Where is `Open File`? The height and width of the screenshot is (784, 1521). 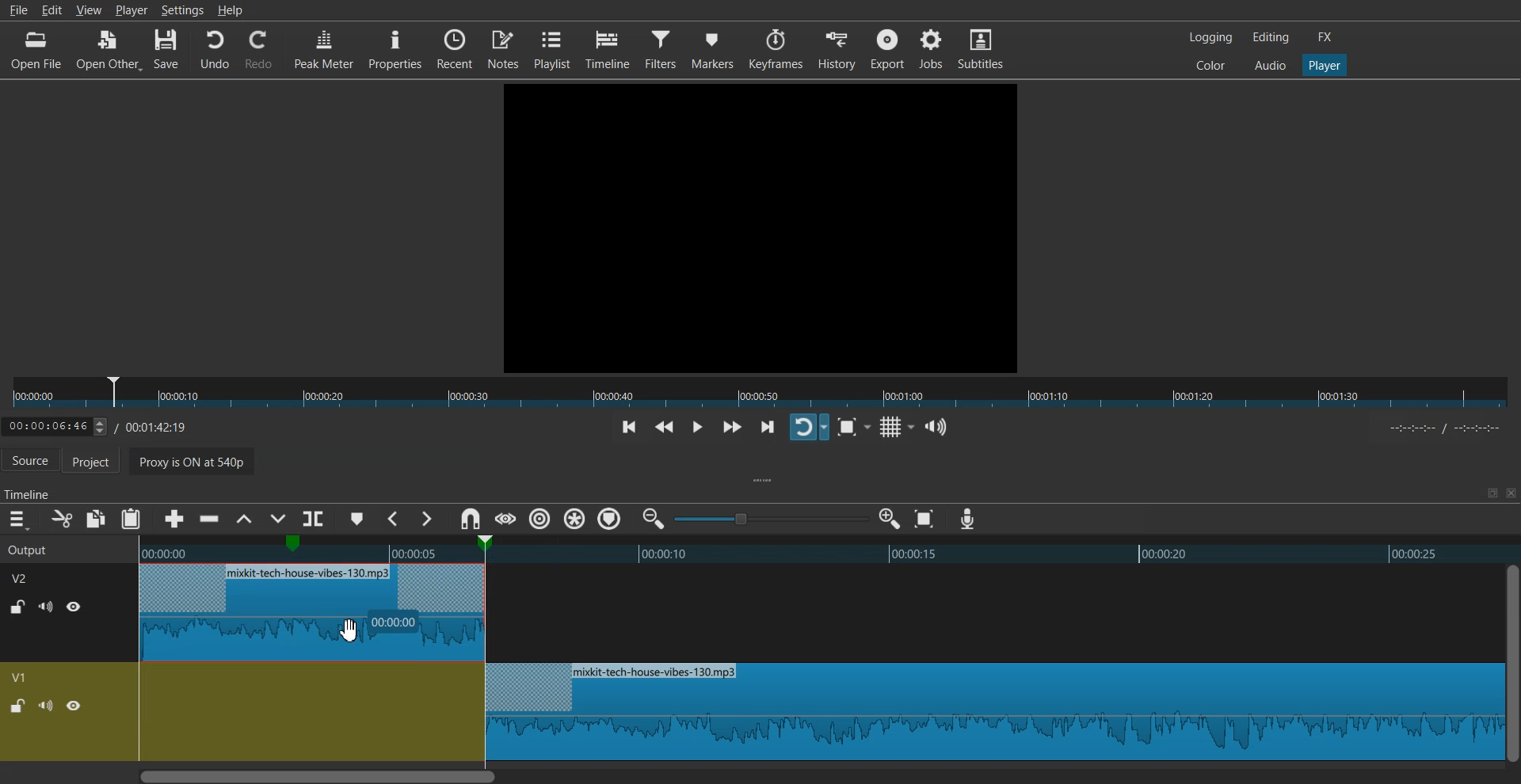
Open File is located at coordinates (38, 50).